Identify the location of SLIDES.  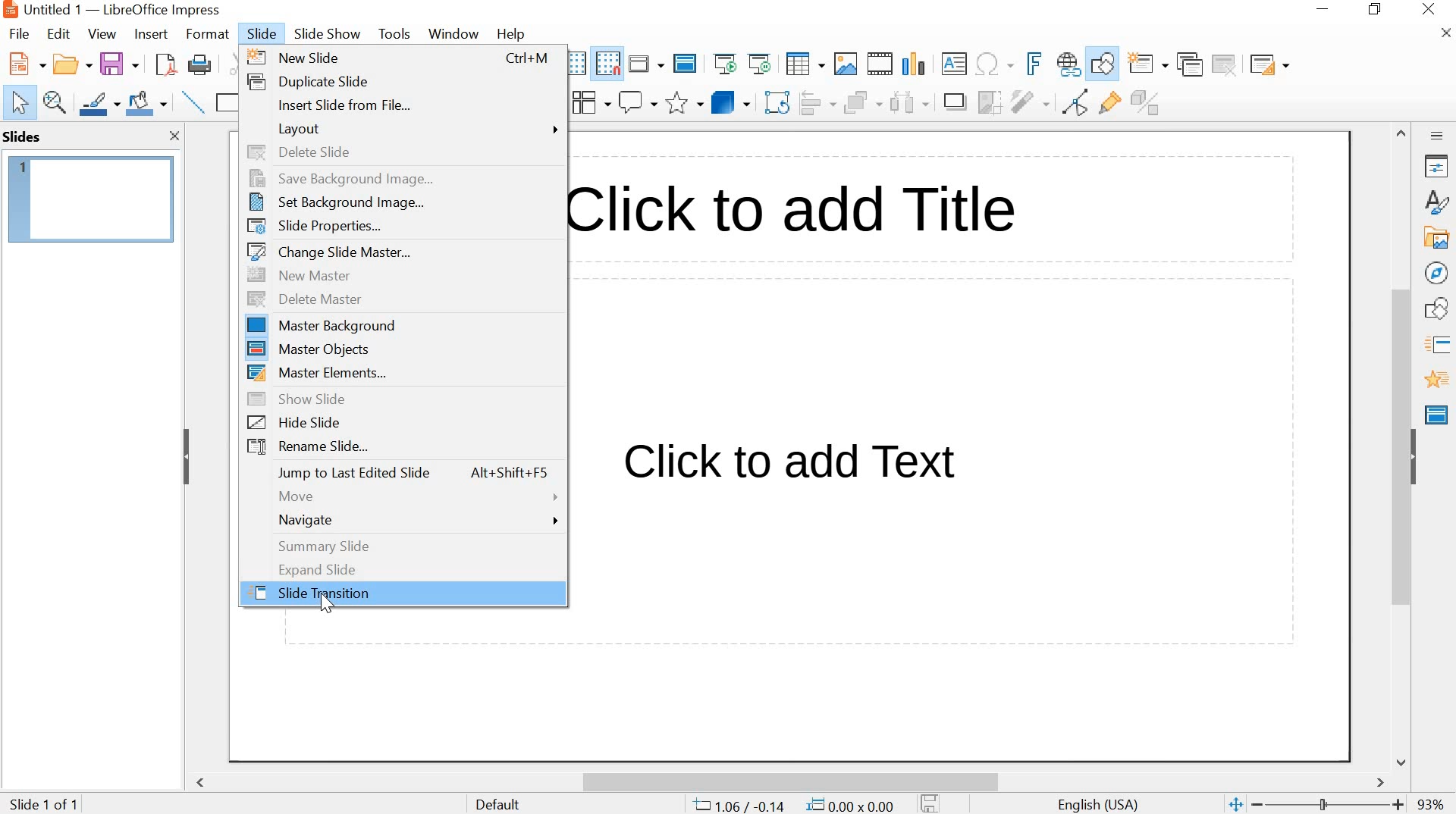
(23, 136).